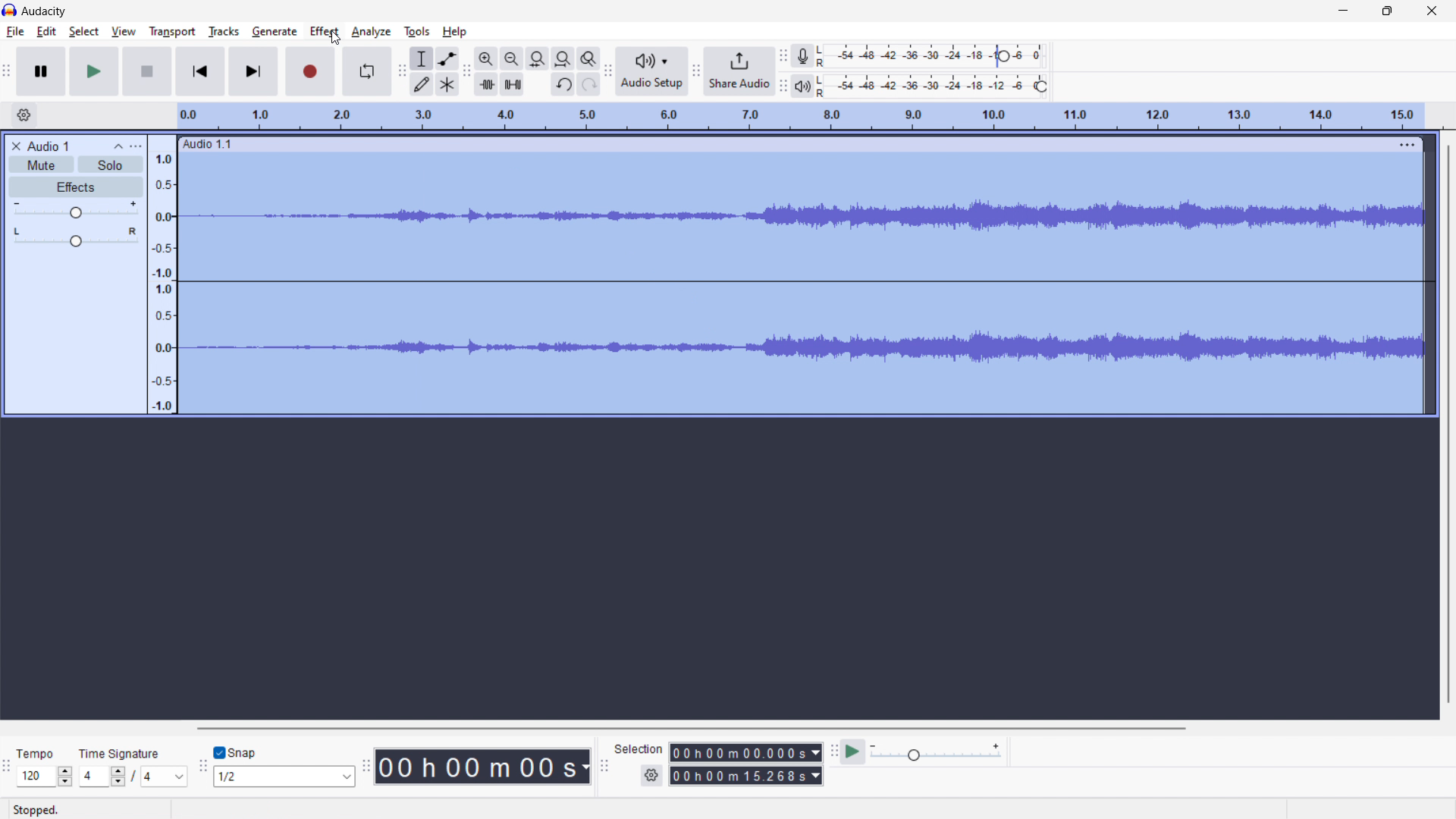  I want to click on tools, so click(417, 32).